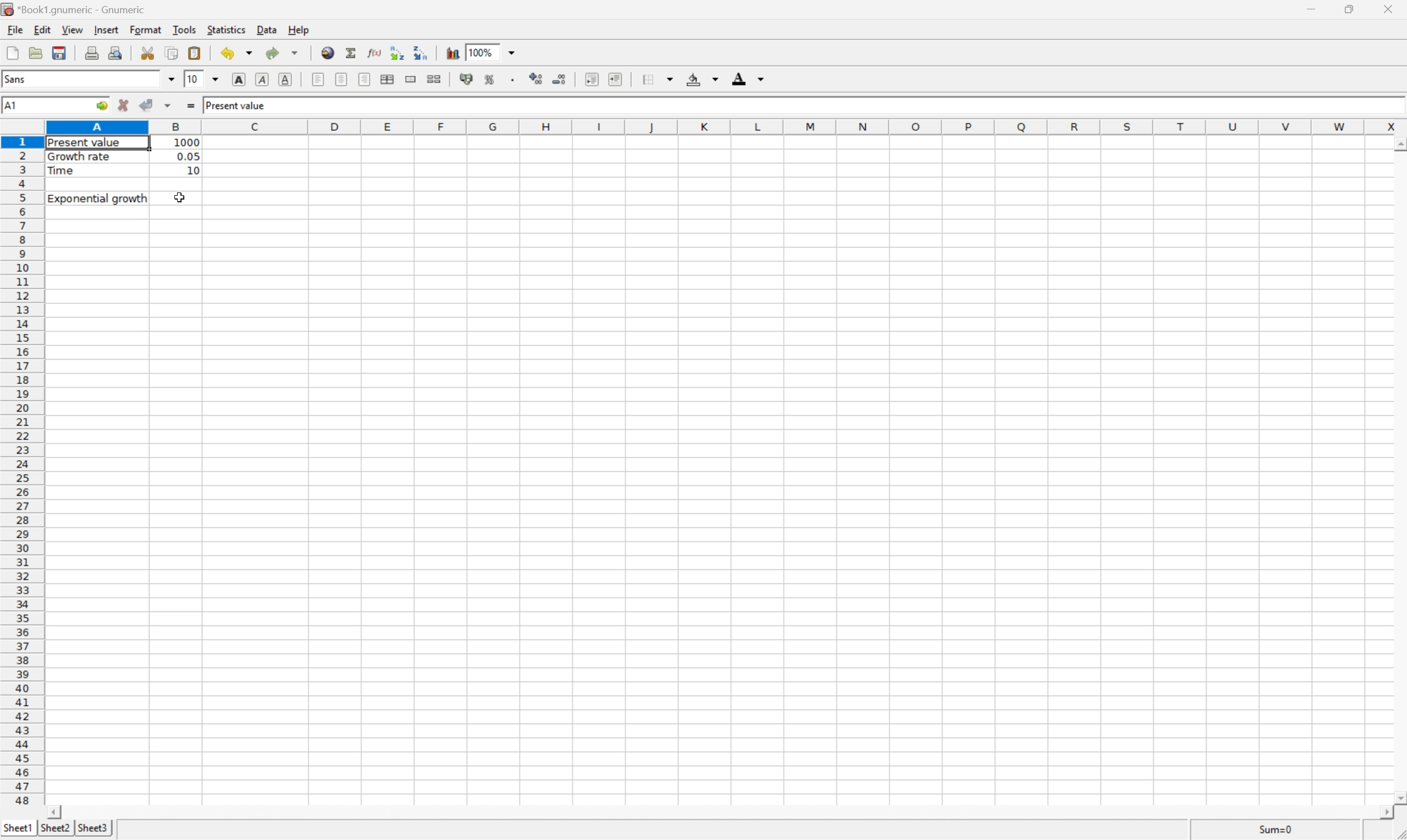 The height and width of the screenshot is (840, 1407). Describe the element at coordinates (351, 52) in the screenshot. I see `Sum into current cell` at that location.